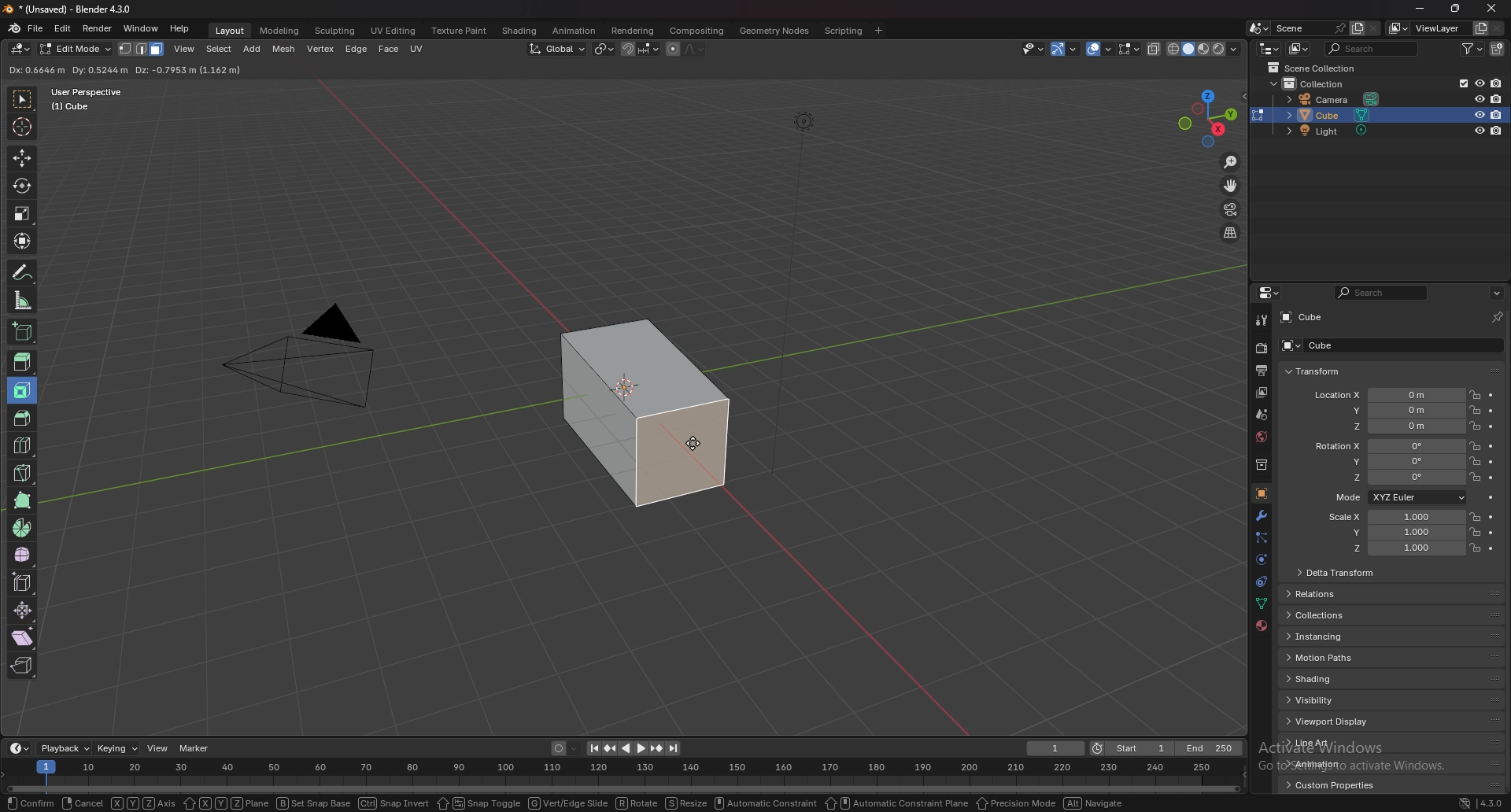  What do you see at coordinates (21, 157) in the screenshot?
I see `move` at bounding box center [21, 157].